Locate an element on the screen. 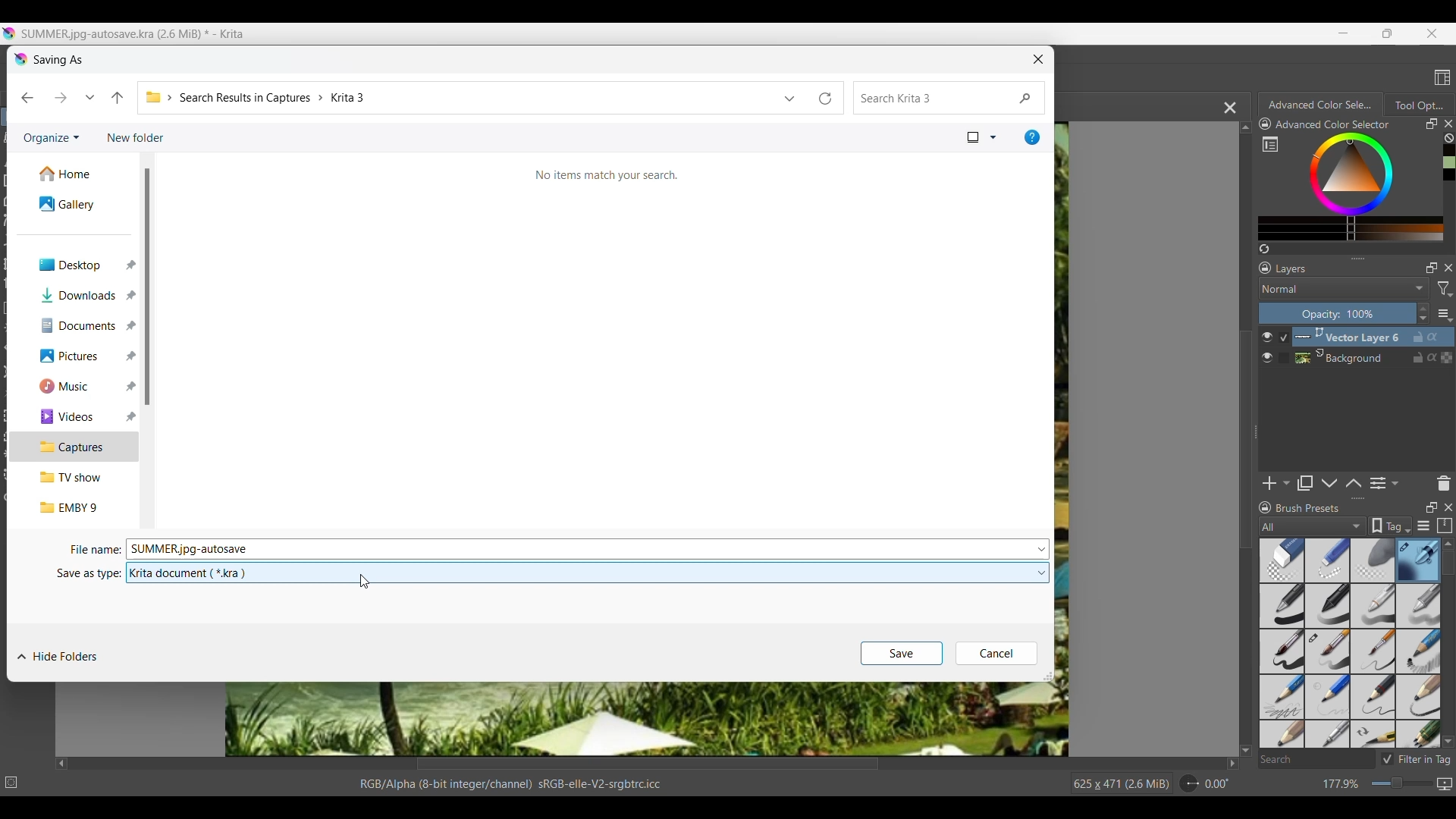 Image resolution: width=1456 pixels, height=819 pixels. Search box is located at coordinates (1316, 759).